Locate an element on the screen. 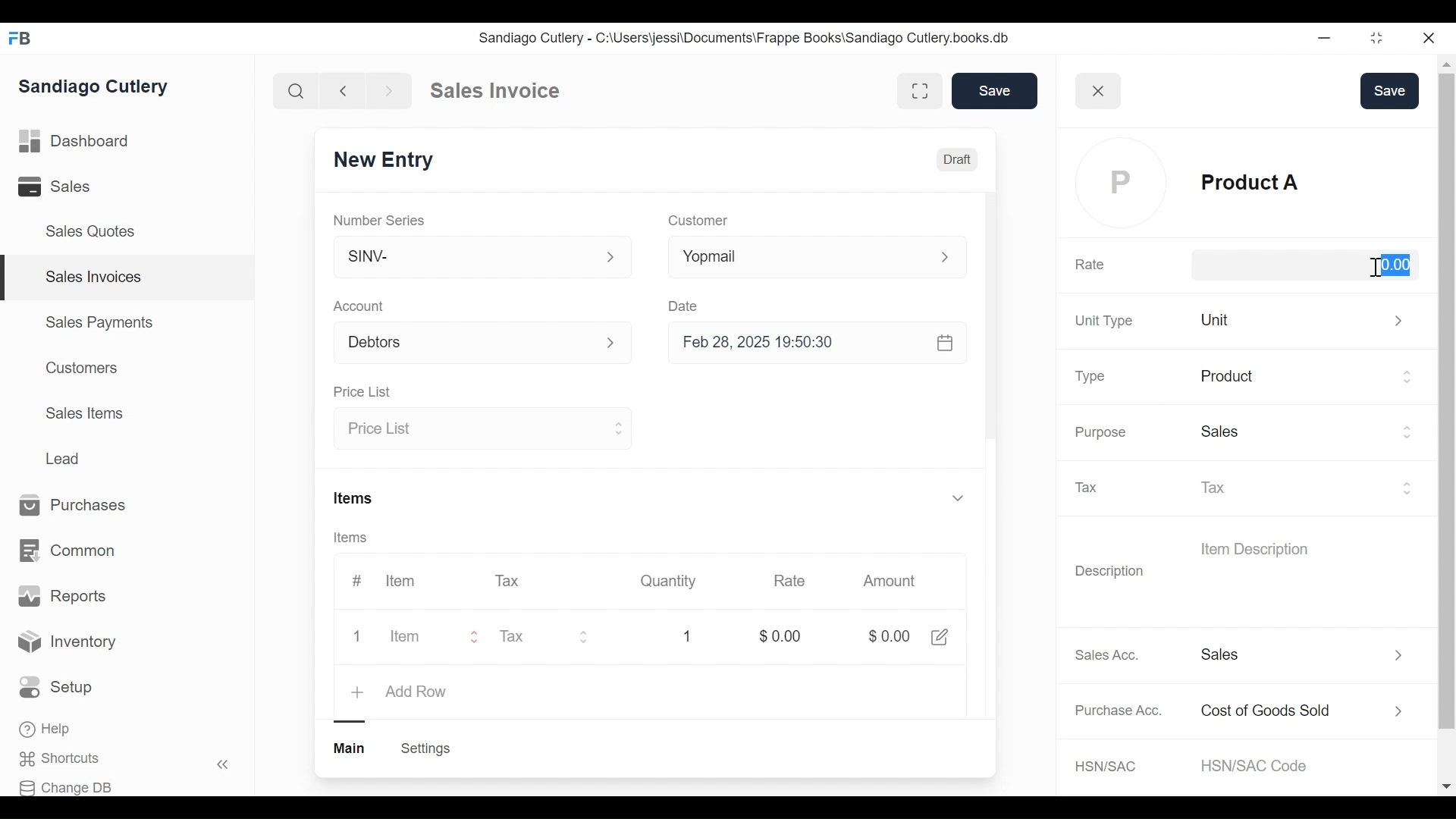 The width and height of the screenshot is (1456, 819). v is located at coordinates (957, 499).